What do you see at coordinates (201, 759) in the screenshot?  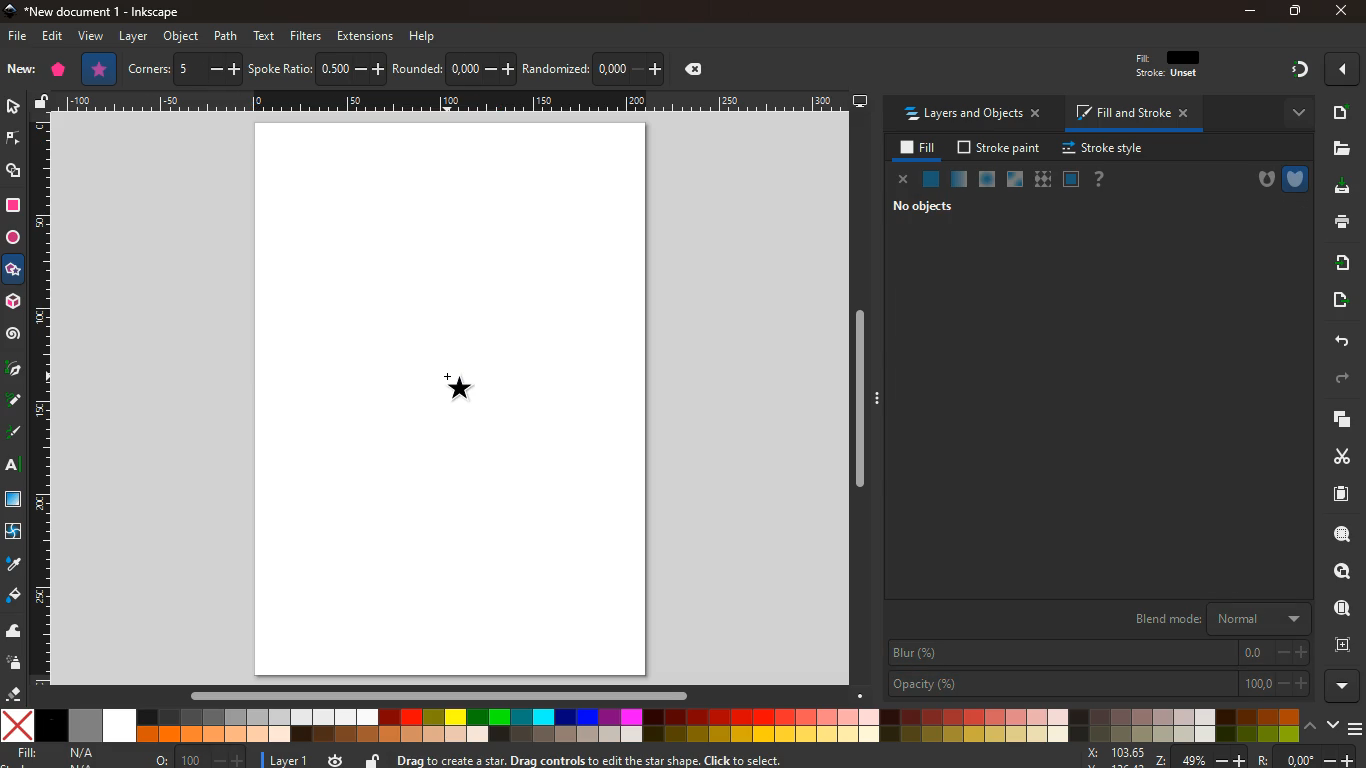 I see `o` at bounding box center [201, 759].